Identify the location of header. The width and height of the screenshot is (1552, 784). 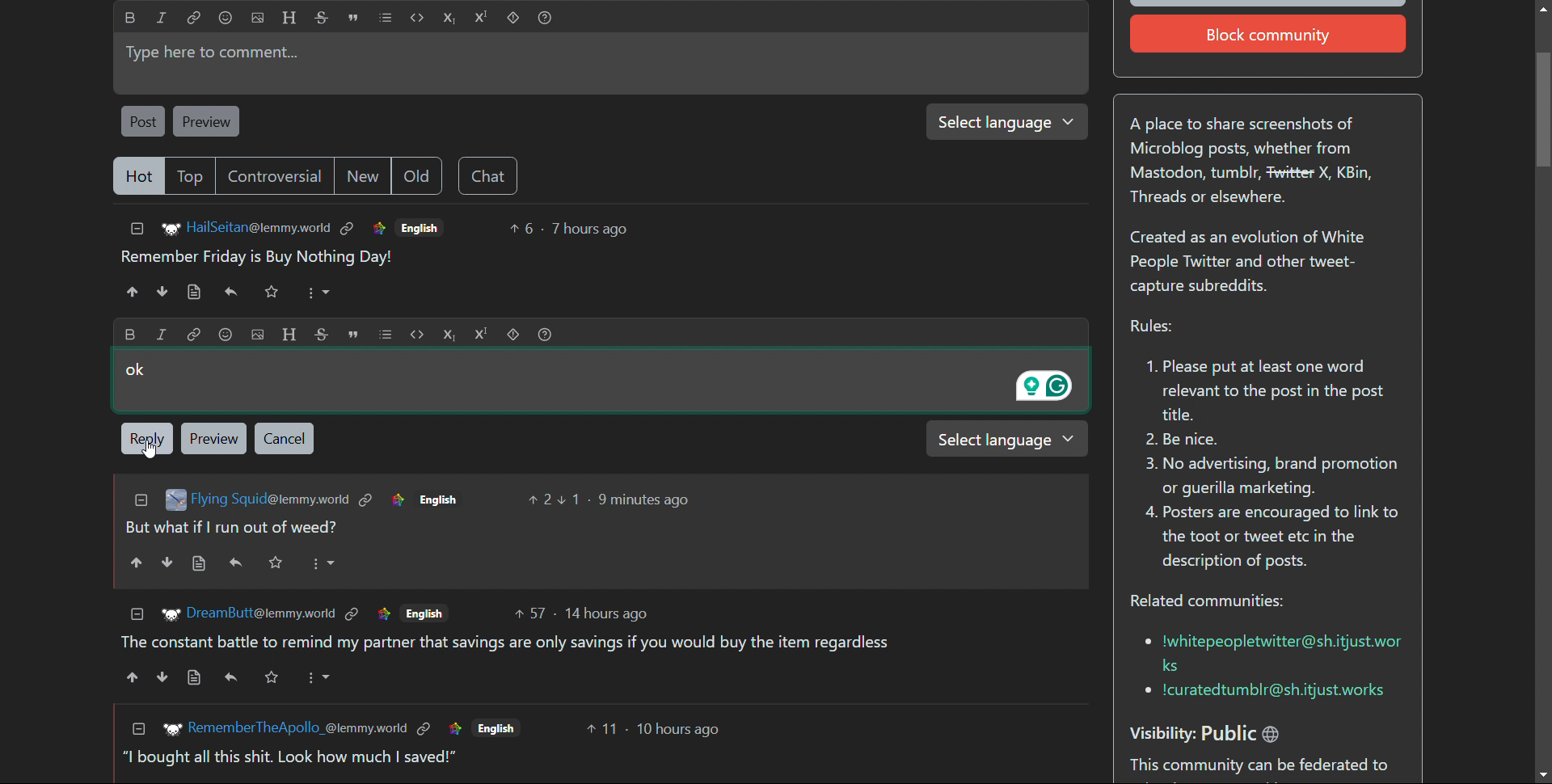
(289, 17).